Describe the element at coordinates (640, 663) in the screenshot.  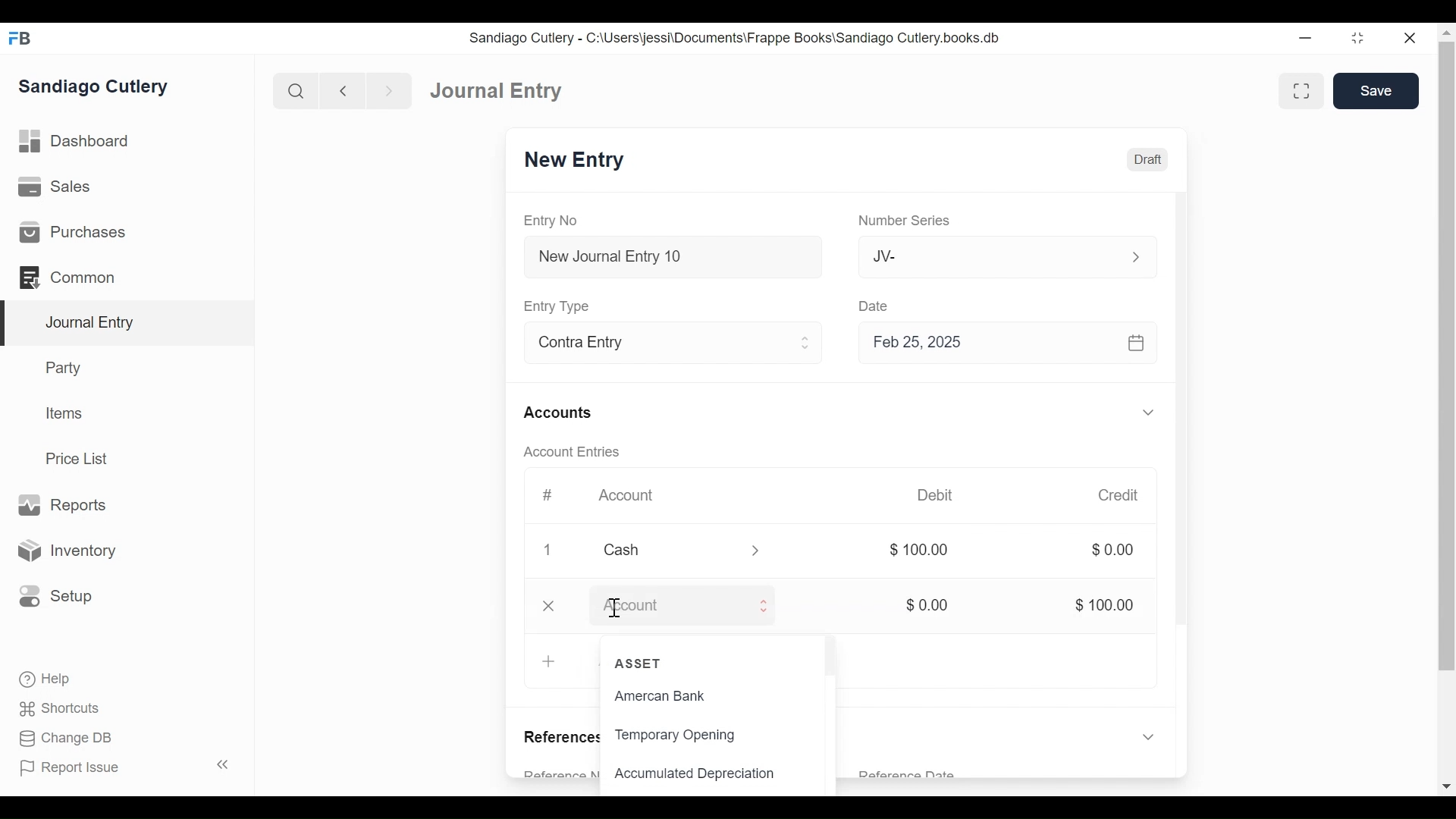
I see `ASSET` at that location.